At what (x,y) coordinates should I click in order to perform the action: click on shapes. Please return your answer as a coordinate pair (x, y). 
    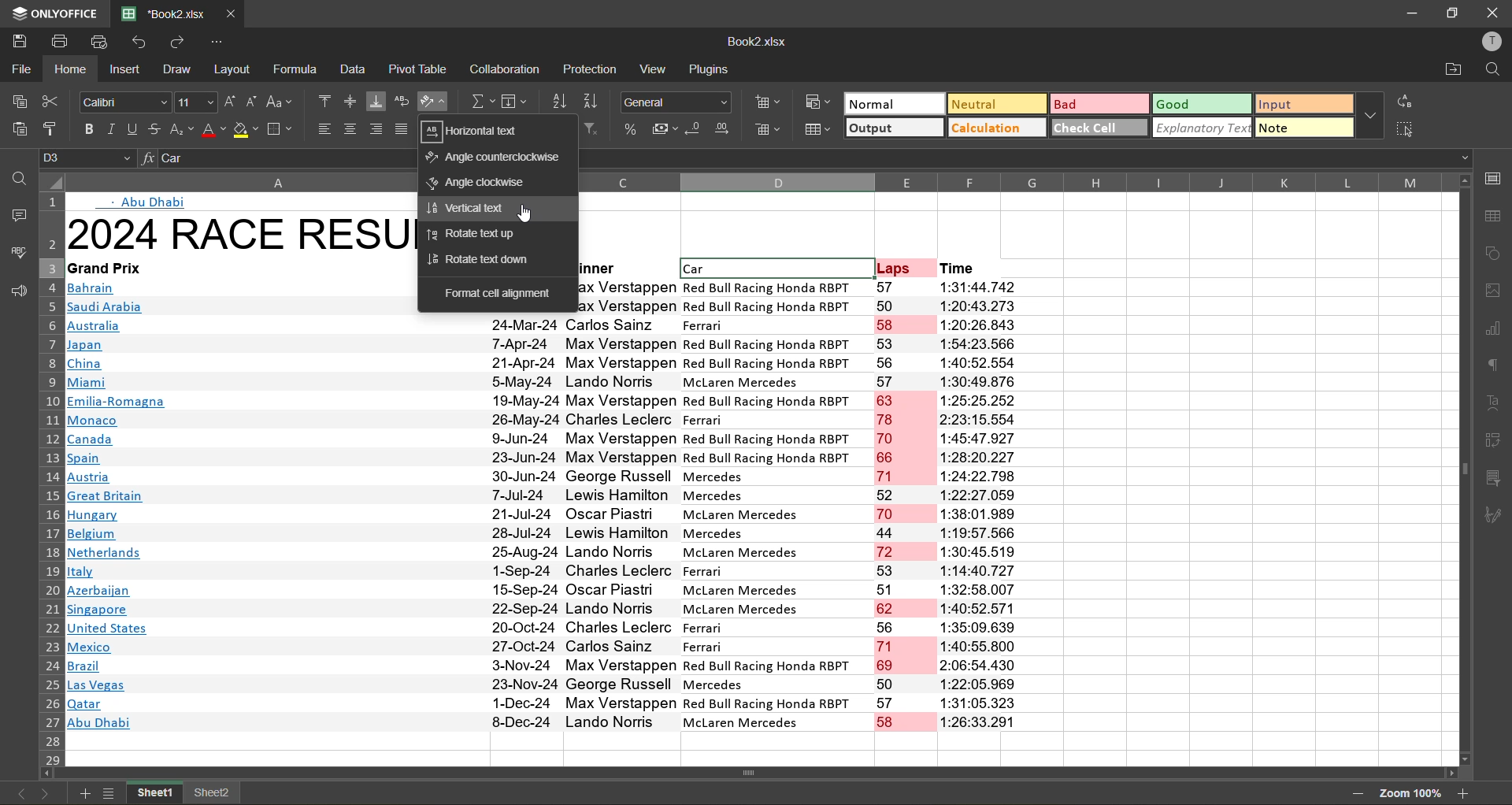
    Looking at the image, I should click on (1498, 252).